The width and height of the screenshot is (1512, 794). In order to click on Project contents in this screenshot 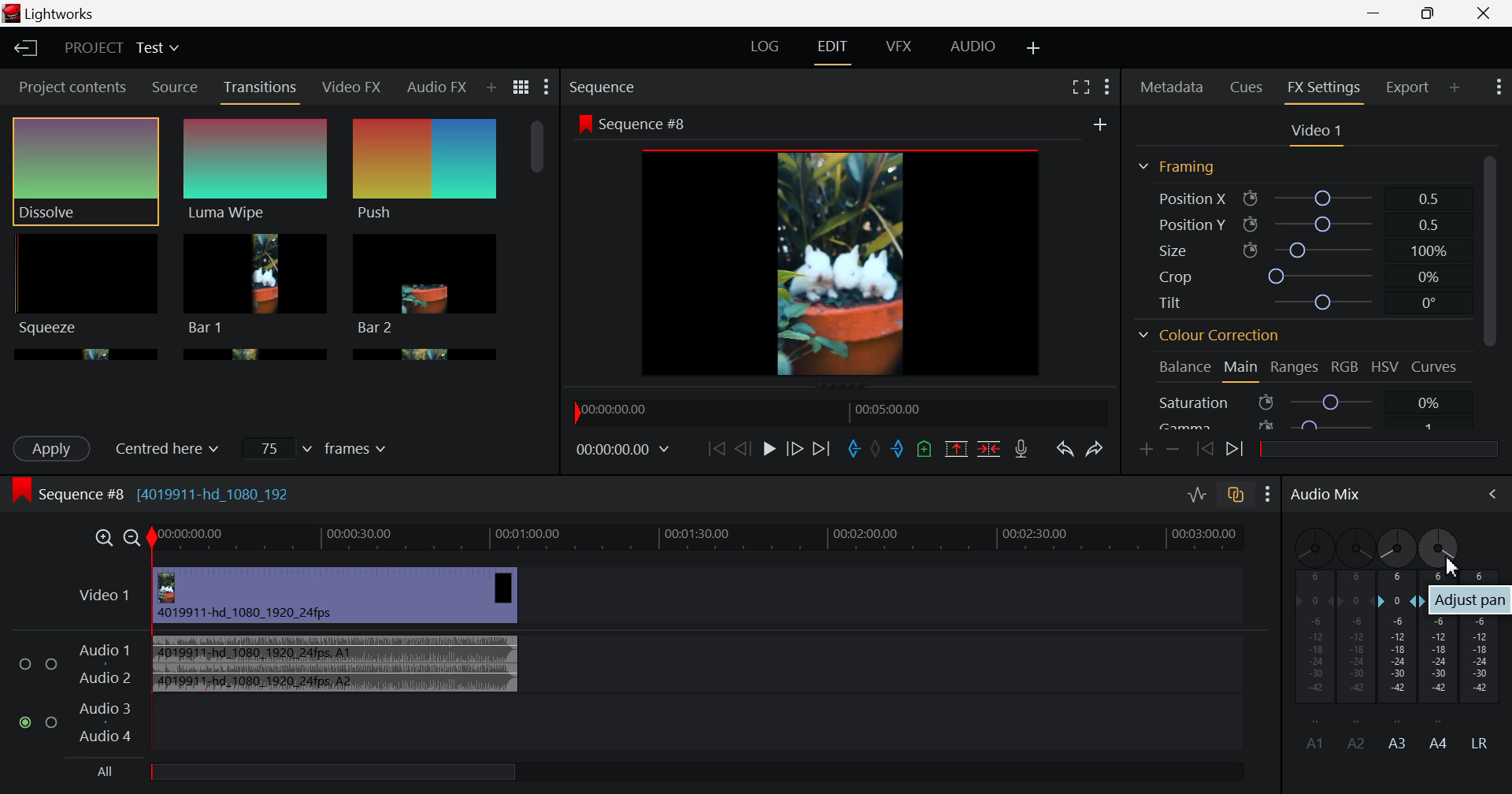, I will do `click(66, 86)`.